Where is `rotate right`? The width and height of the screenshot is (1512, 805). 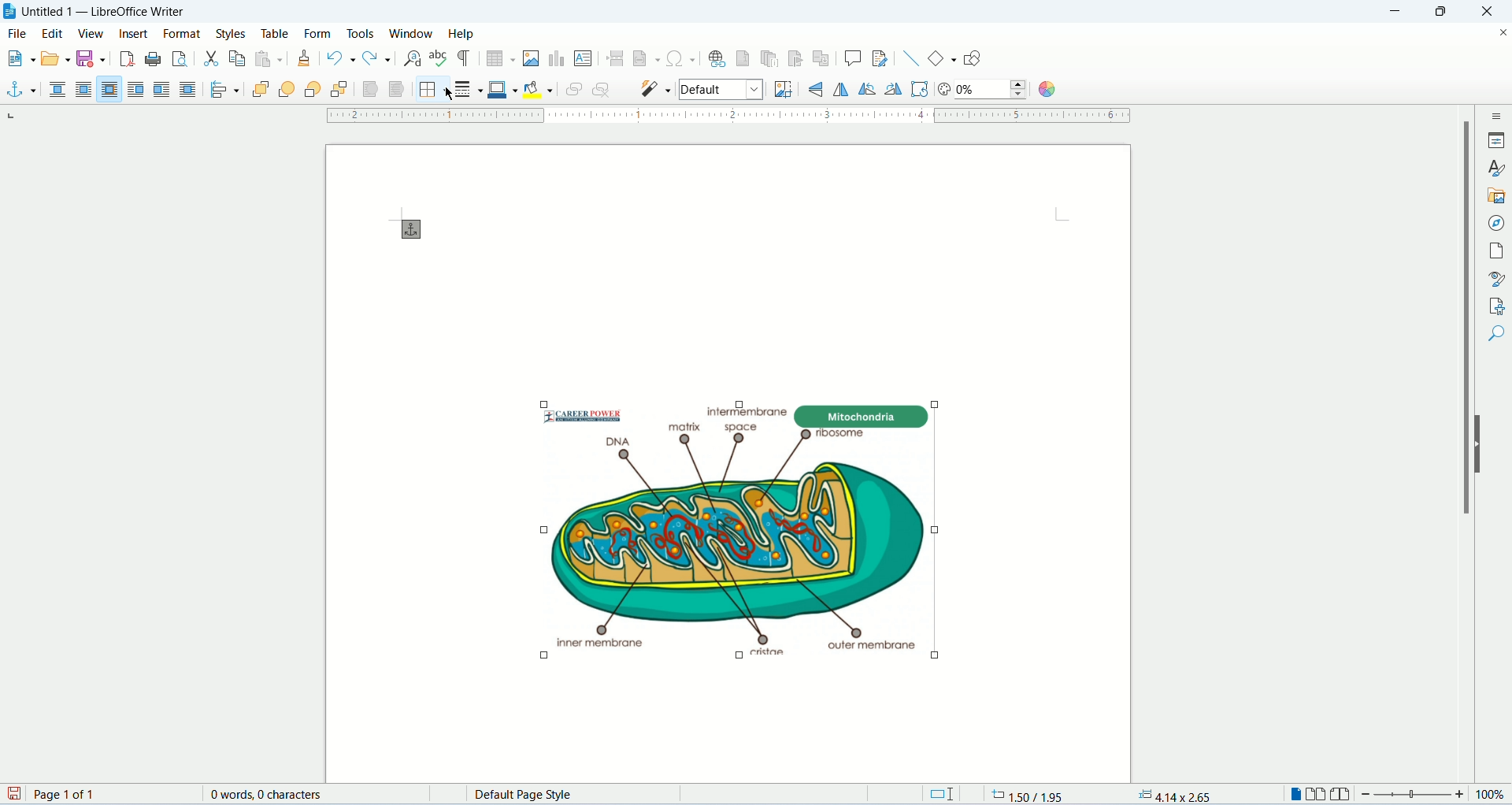 rotate right is located at coordinates (895, 90).